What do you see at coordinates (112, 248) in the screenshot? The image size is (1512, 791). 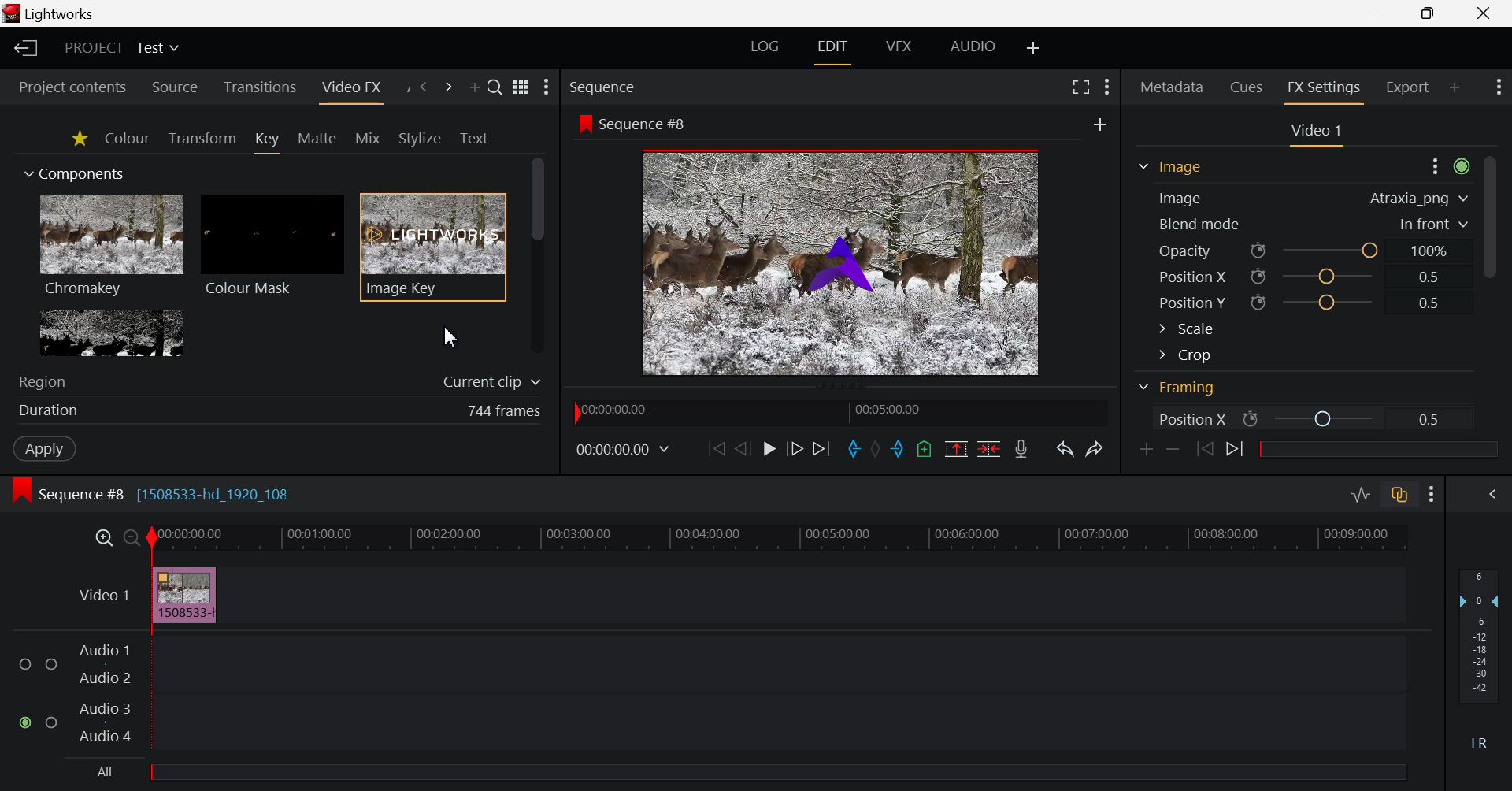 I see `Chromakey` at bounding box center [112, 248].